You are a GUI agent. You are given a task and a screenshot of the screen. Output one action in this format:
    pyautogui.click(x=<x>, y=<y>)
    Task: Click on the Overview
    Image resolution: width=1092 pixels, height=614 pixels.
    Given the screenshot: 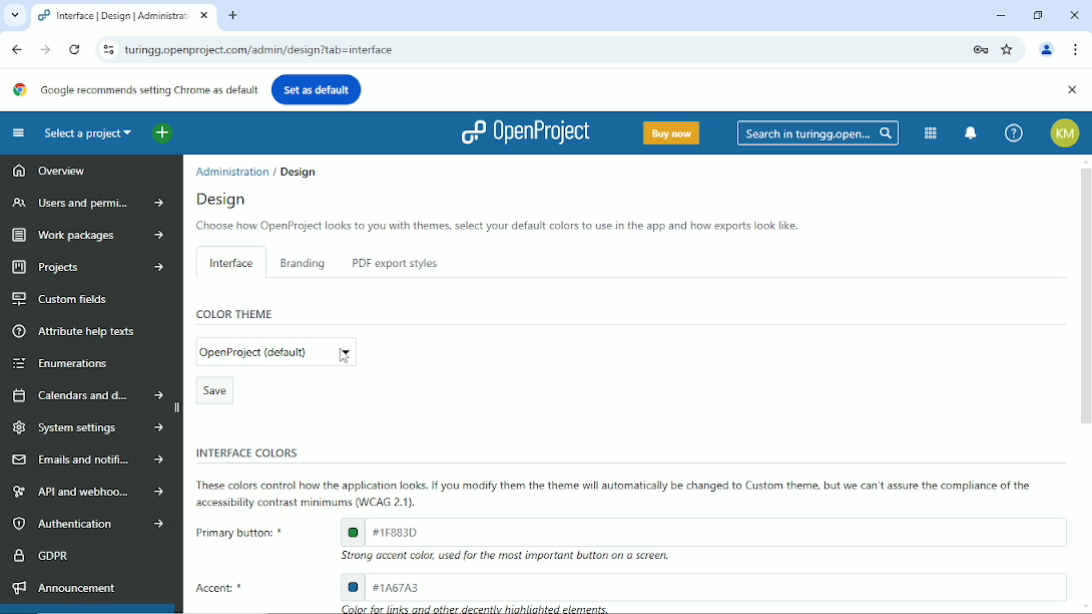 What is the action you would take?
    pyautogui.click(x=48, y=173)
    